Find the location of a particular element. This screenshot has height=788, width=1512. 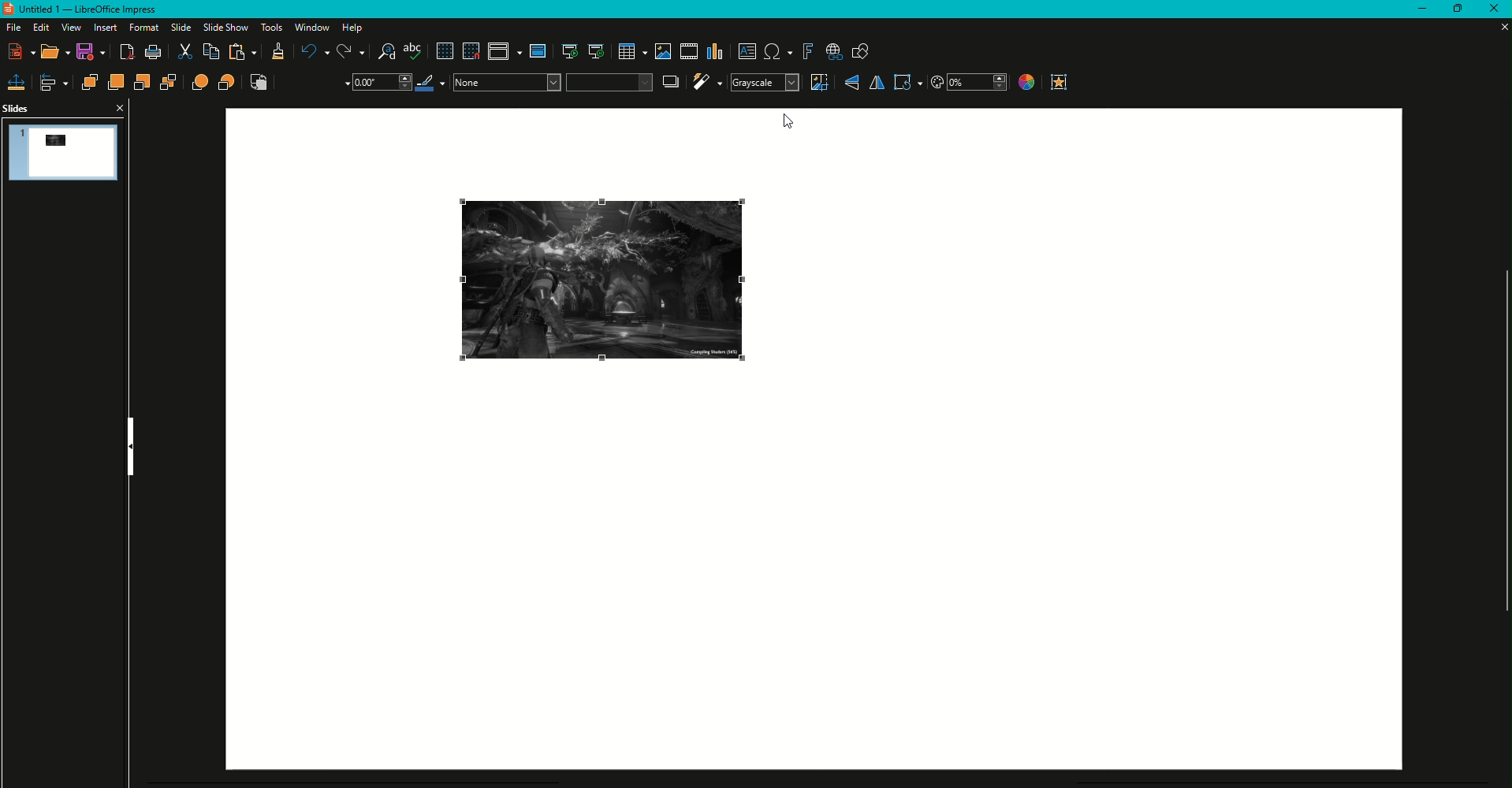

Insert Audio Video is located at coordinates (687, 52).